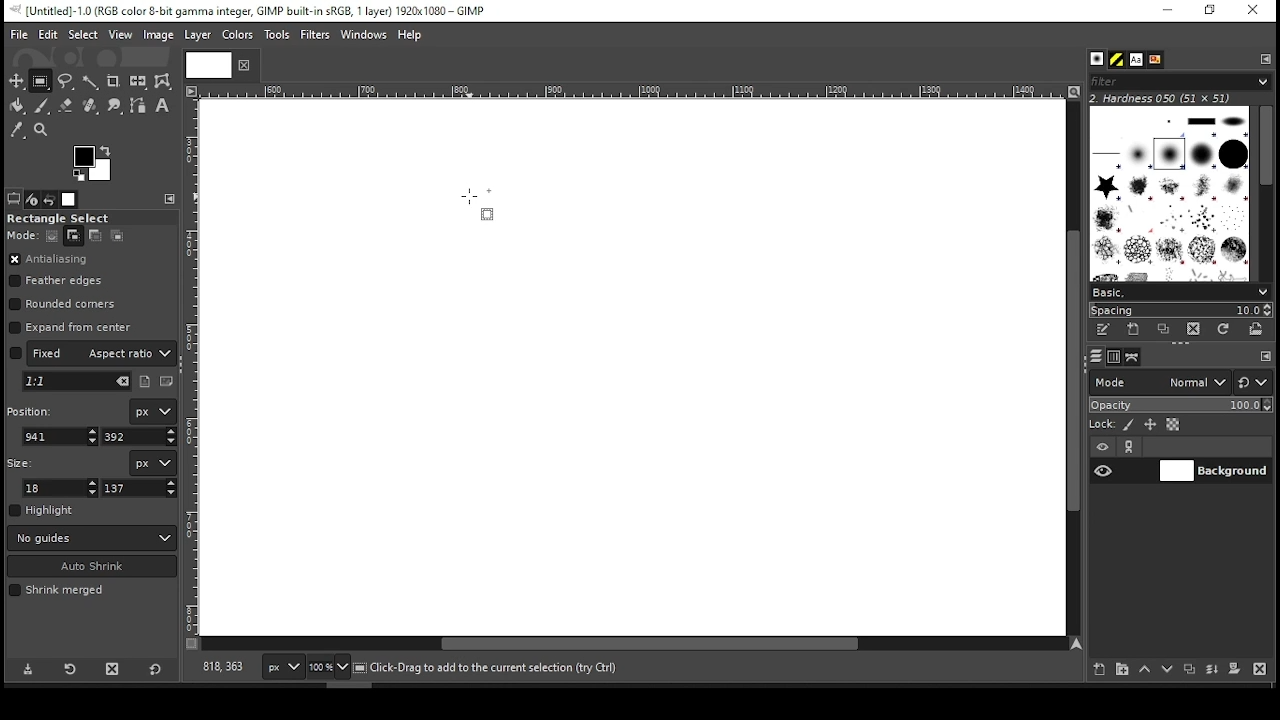 The height and width of the screenshot is (720, 1280). Describe the element at coordinates (77, 382) in the screenshot. I see `pick aspect ration` at that location.